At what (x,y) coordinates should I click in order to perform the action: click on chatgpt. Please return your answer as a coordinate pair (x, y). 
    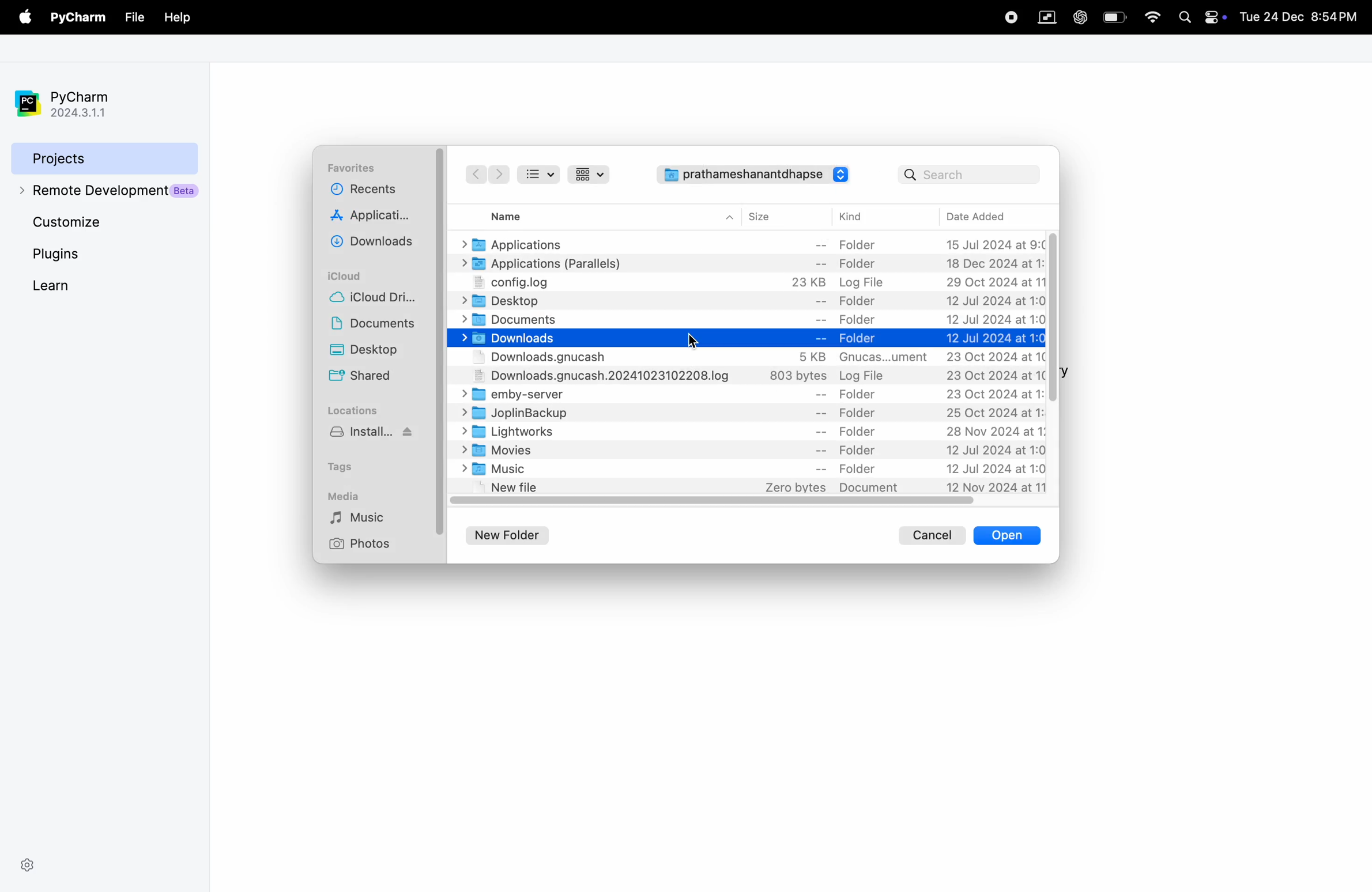
    Looking at the image, I should click on (1079, 16).